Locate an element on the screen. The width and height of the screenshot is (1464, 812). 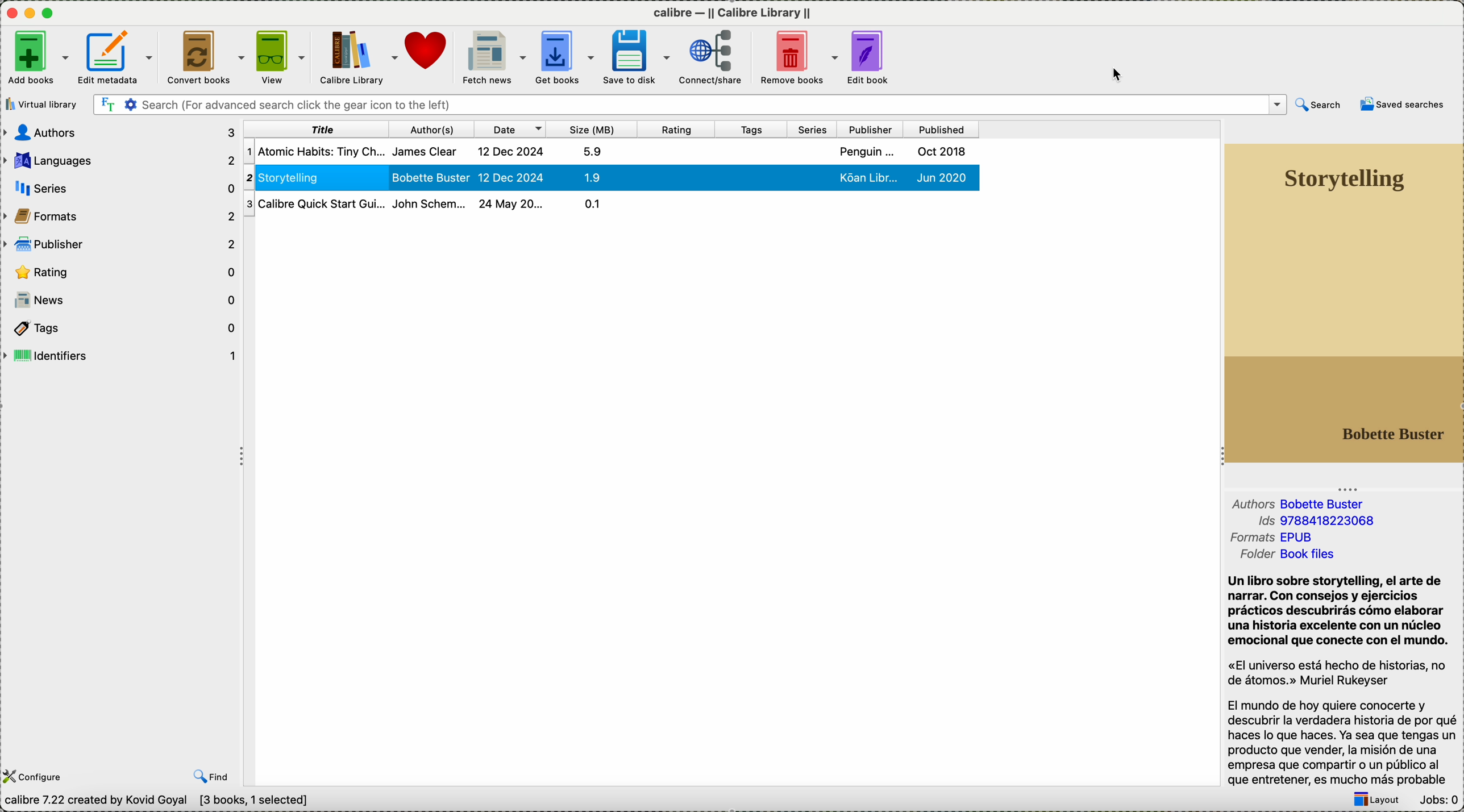
maximize is located at coordinates (50, 13).